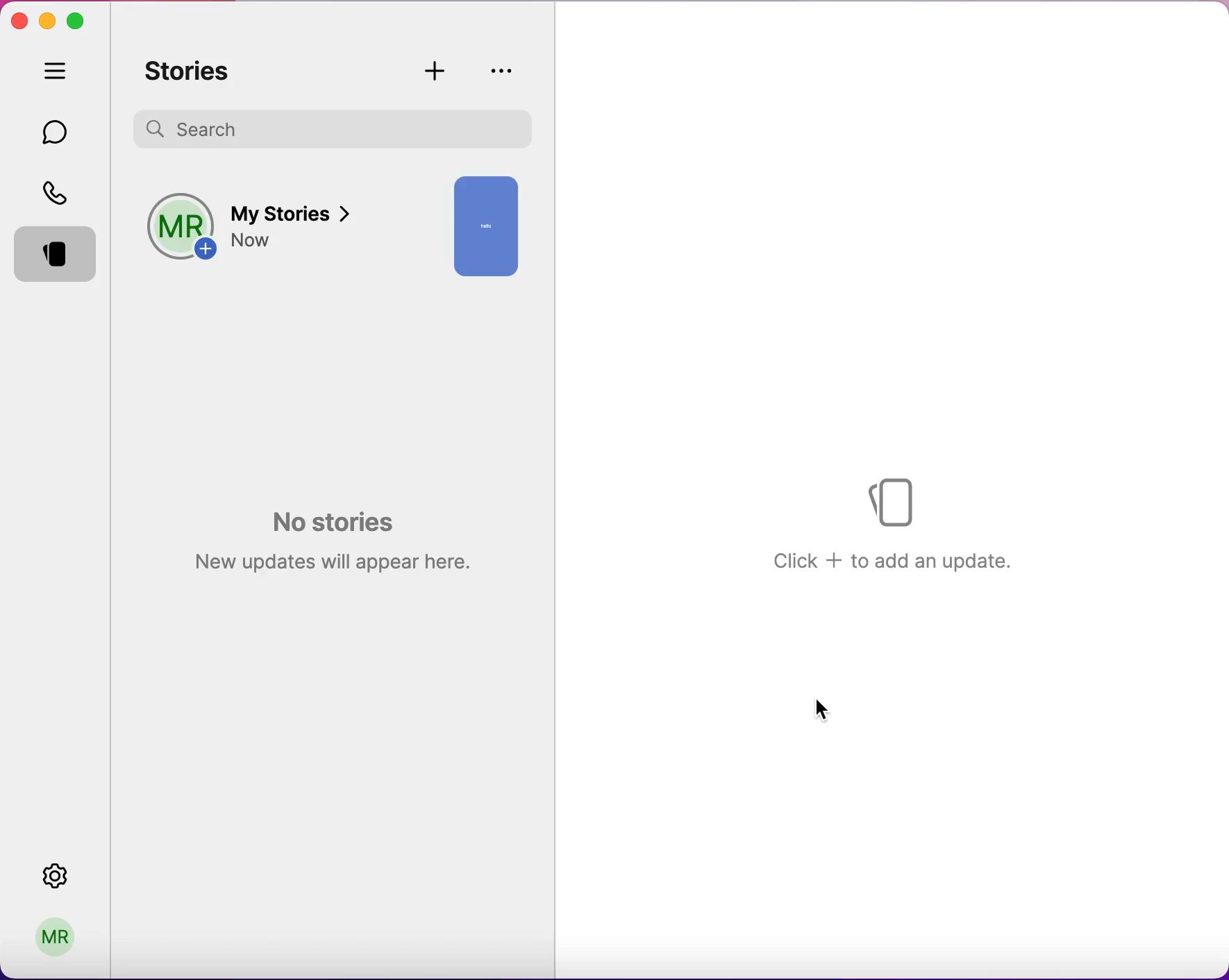  What do you see at coordinates (438, 71) in the screenshot?
I see `add` at bounding box center [438, 71].